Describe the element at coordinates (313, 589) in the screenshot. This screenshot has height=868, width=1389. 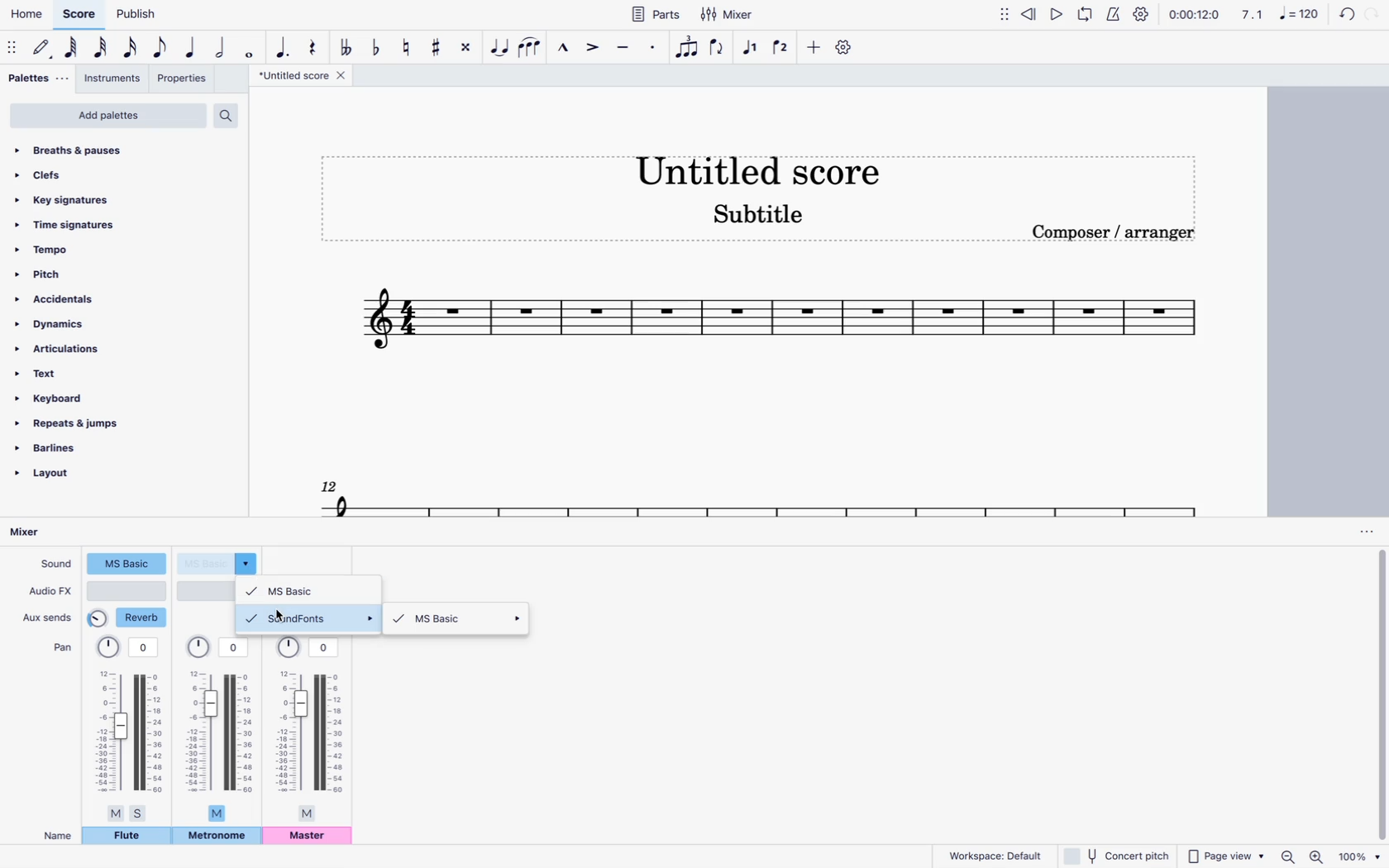
I see `ms basic` at that location.